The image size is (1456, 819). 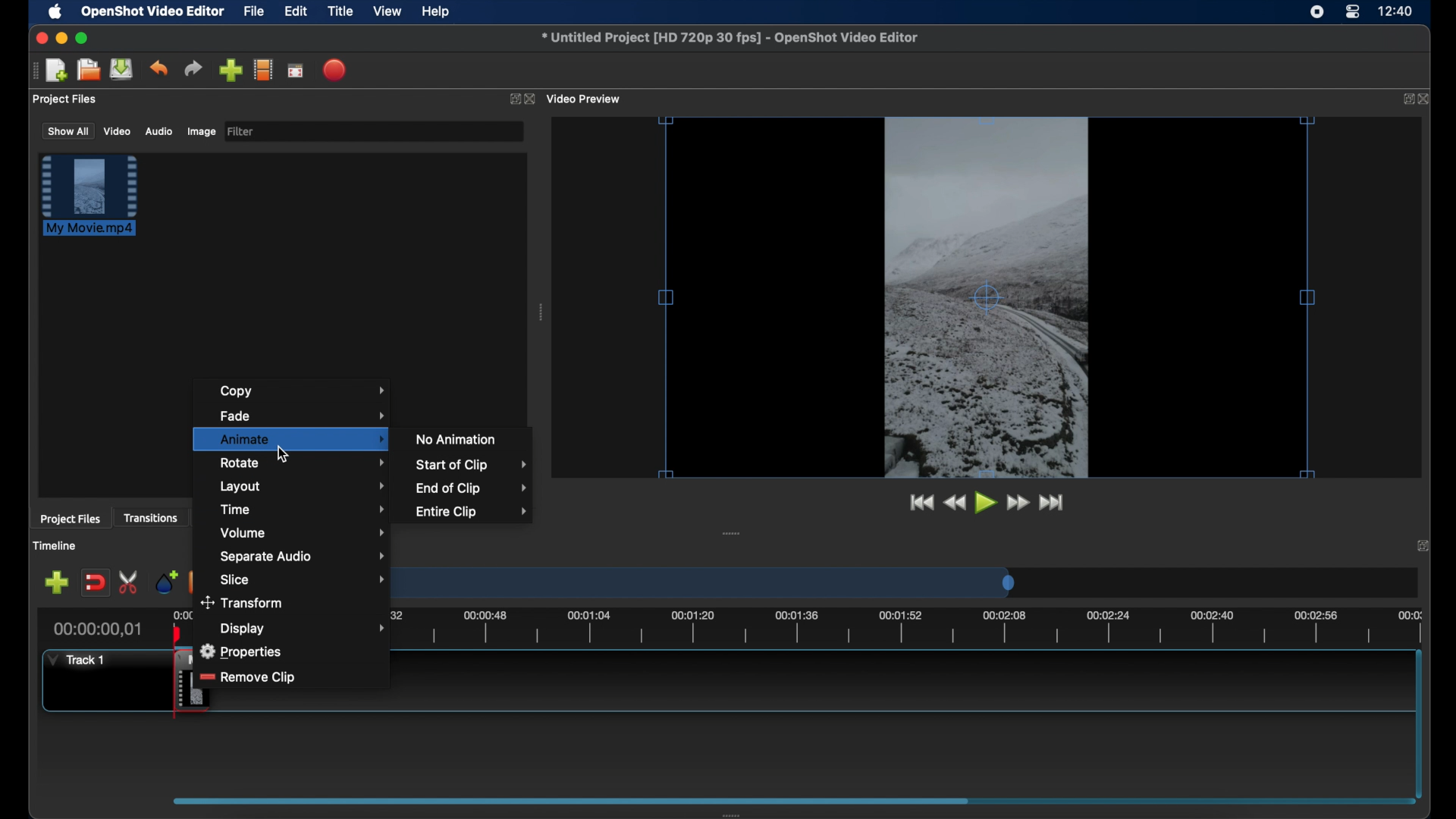 I want to click on transitions, so click(x=152, y=519).